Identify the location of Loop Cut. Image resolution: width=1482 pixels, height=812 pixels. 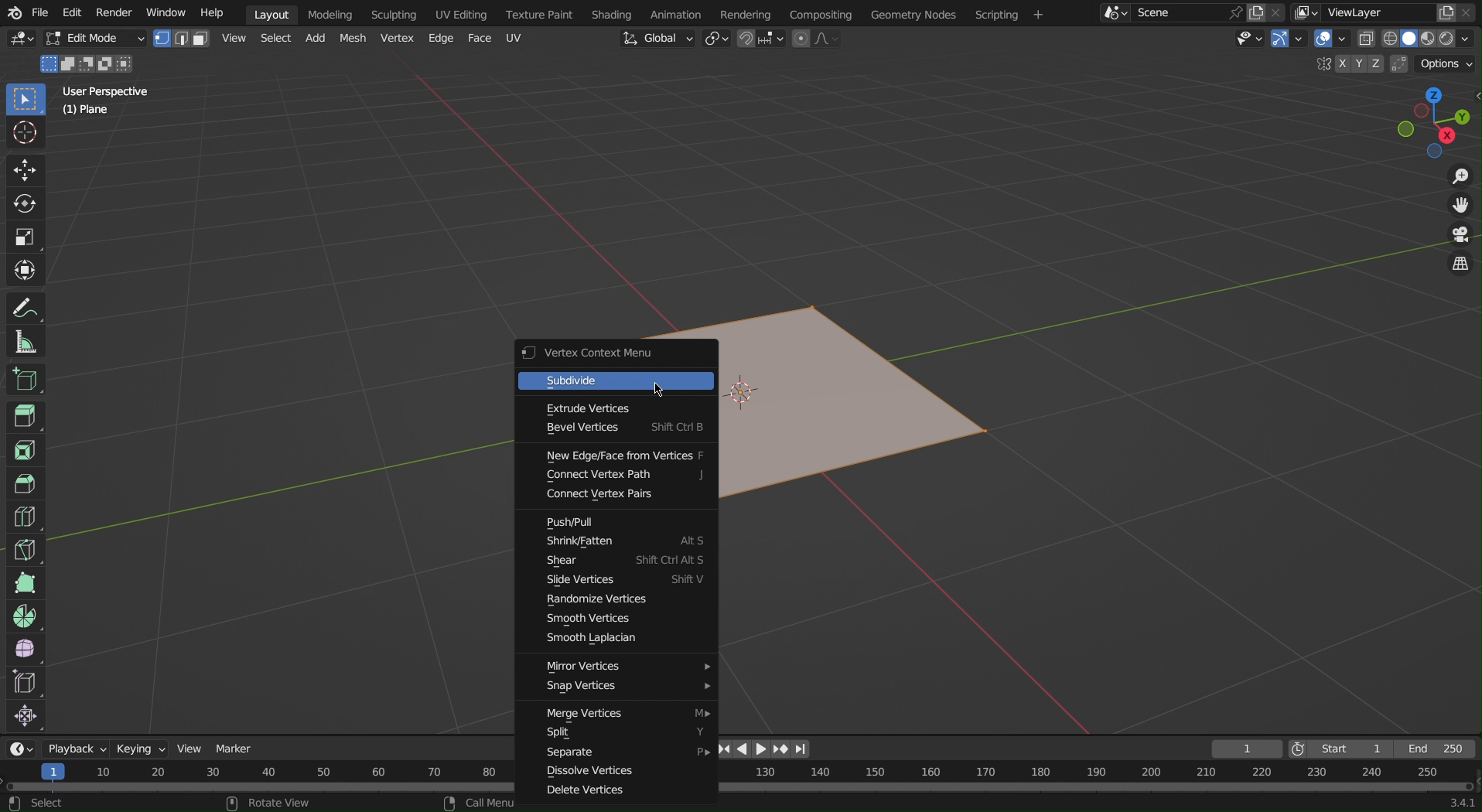
(23, 517).